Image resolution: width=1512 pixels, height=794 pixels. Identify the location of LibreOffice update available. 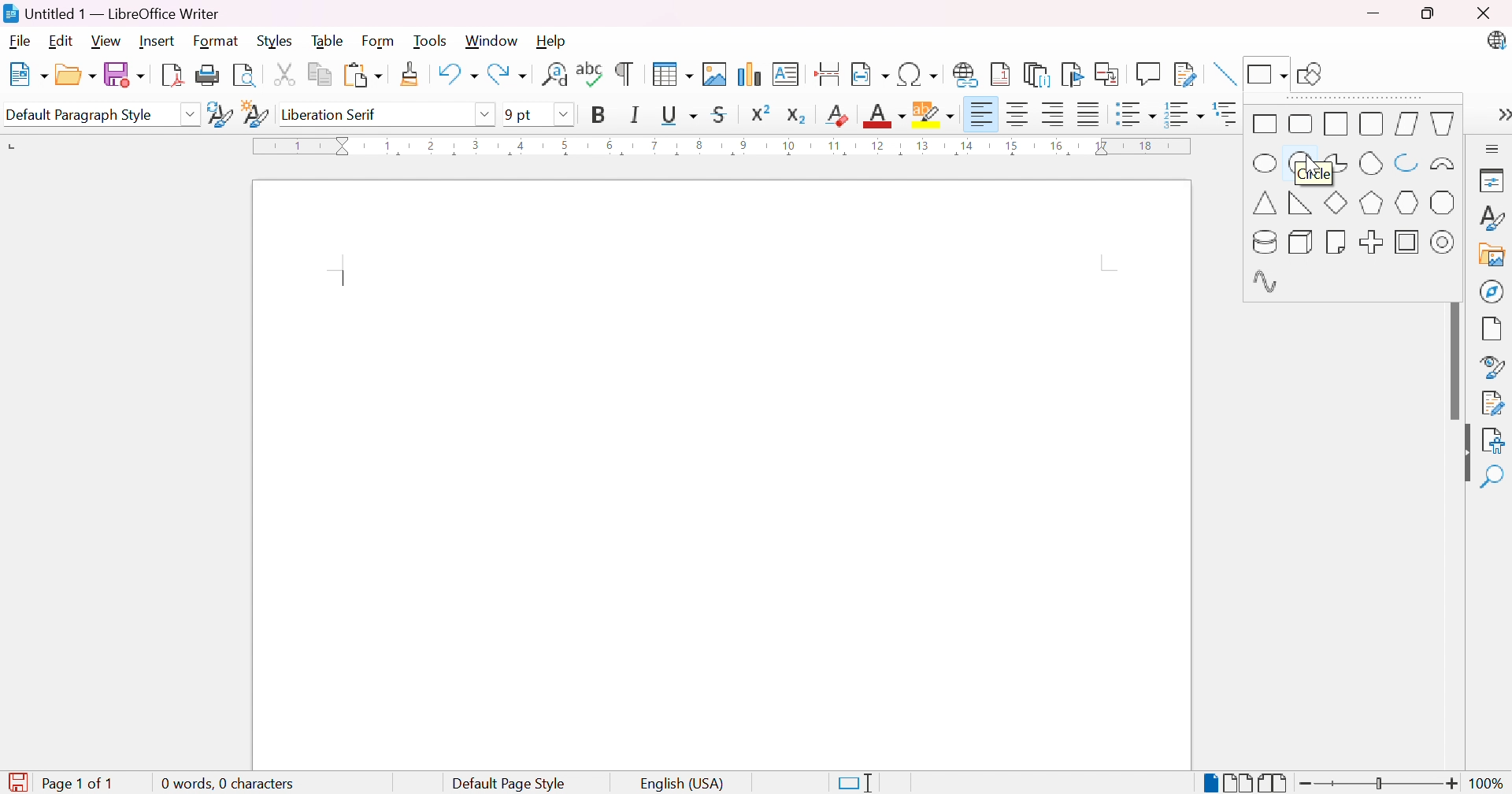
(1495, 40).